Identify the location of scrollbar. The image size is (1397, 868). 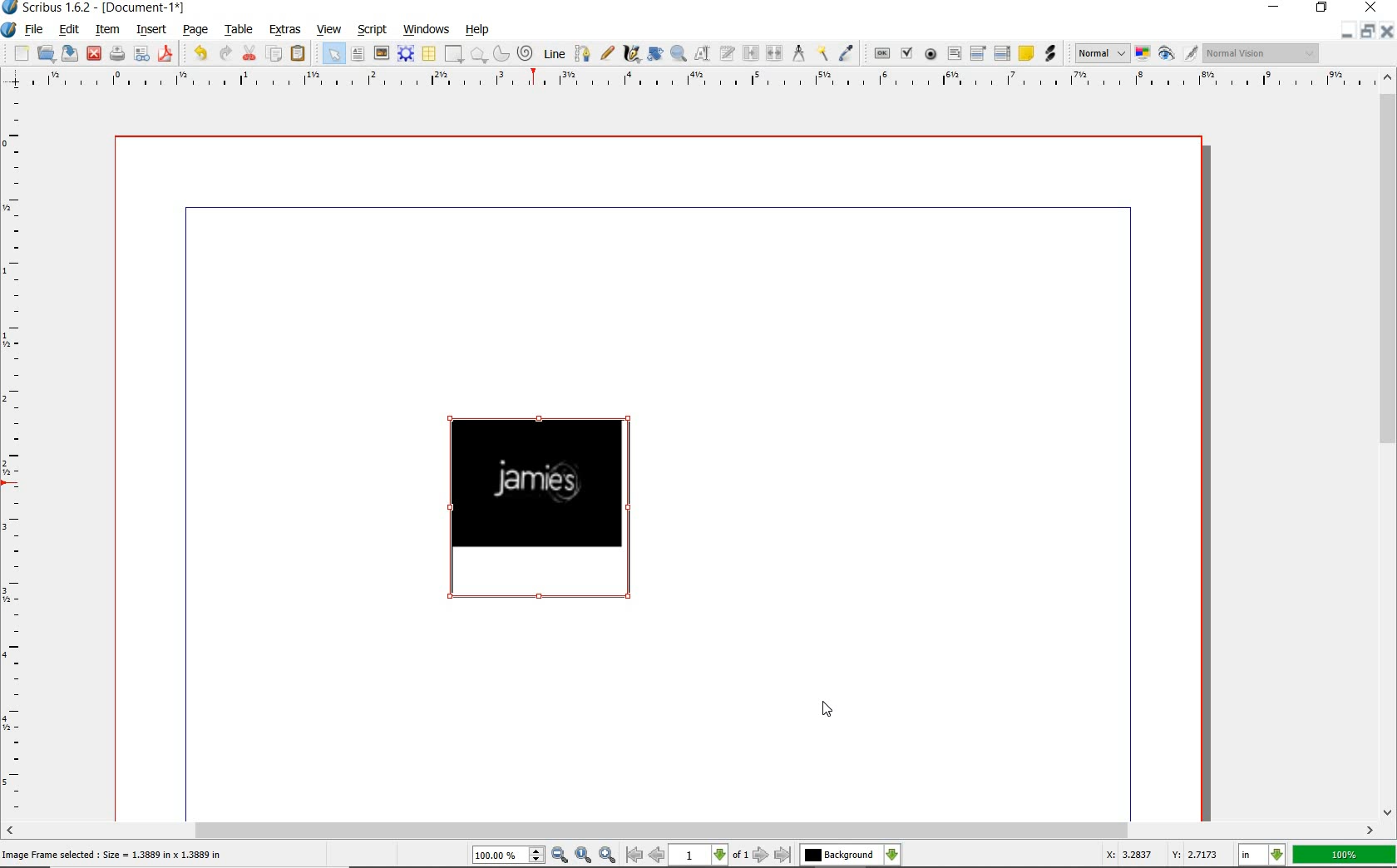
(1389, 445).